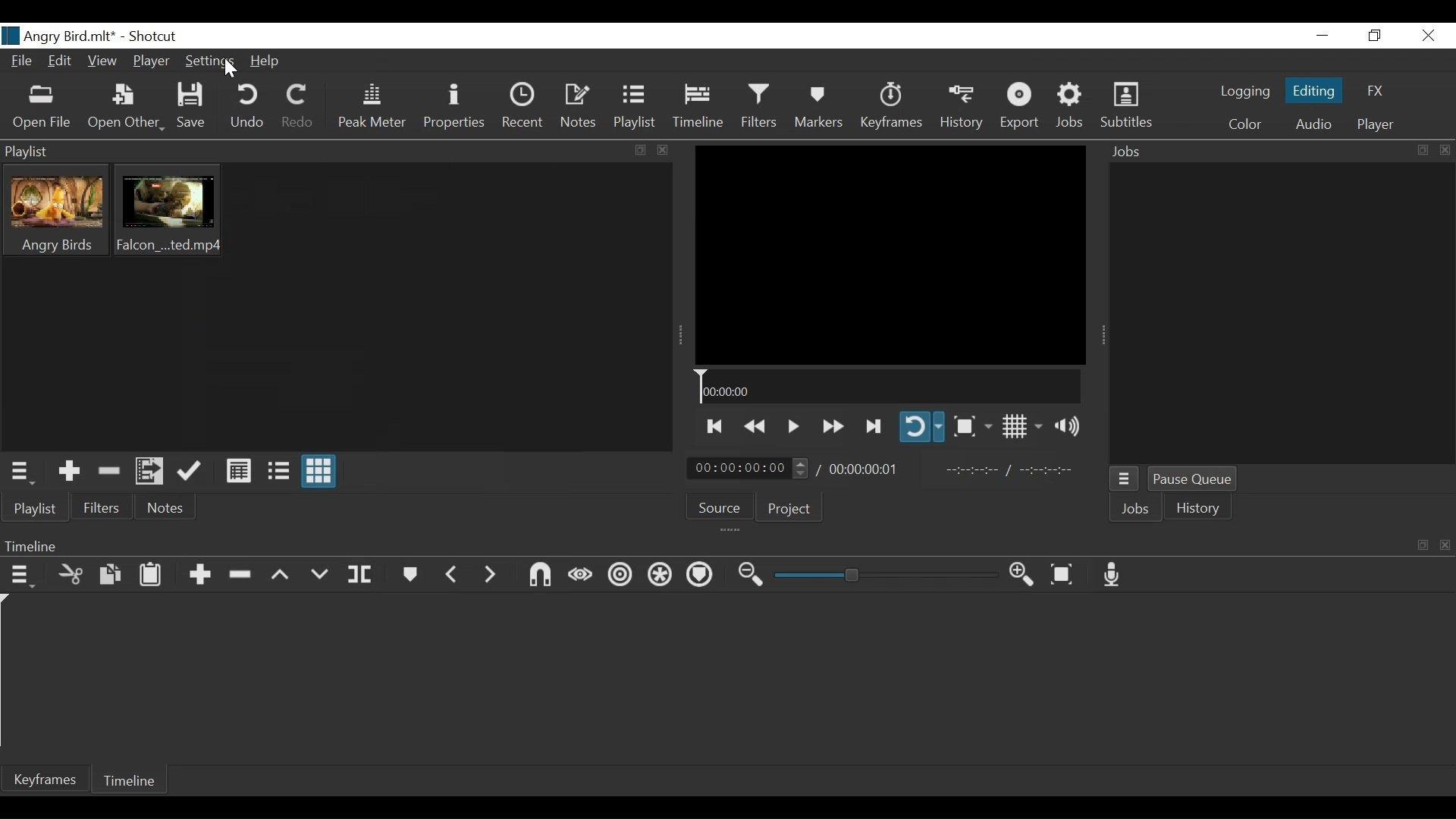  Describe the element at coordinates (1021, 106) in the screenshot. I see `Export` at that location.